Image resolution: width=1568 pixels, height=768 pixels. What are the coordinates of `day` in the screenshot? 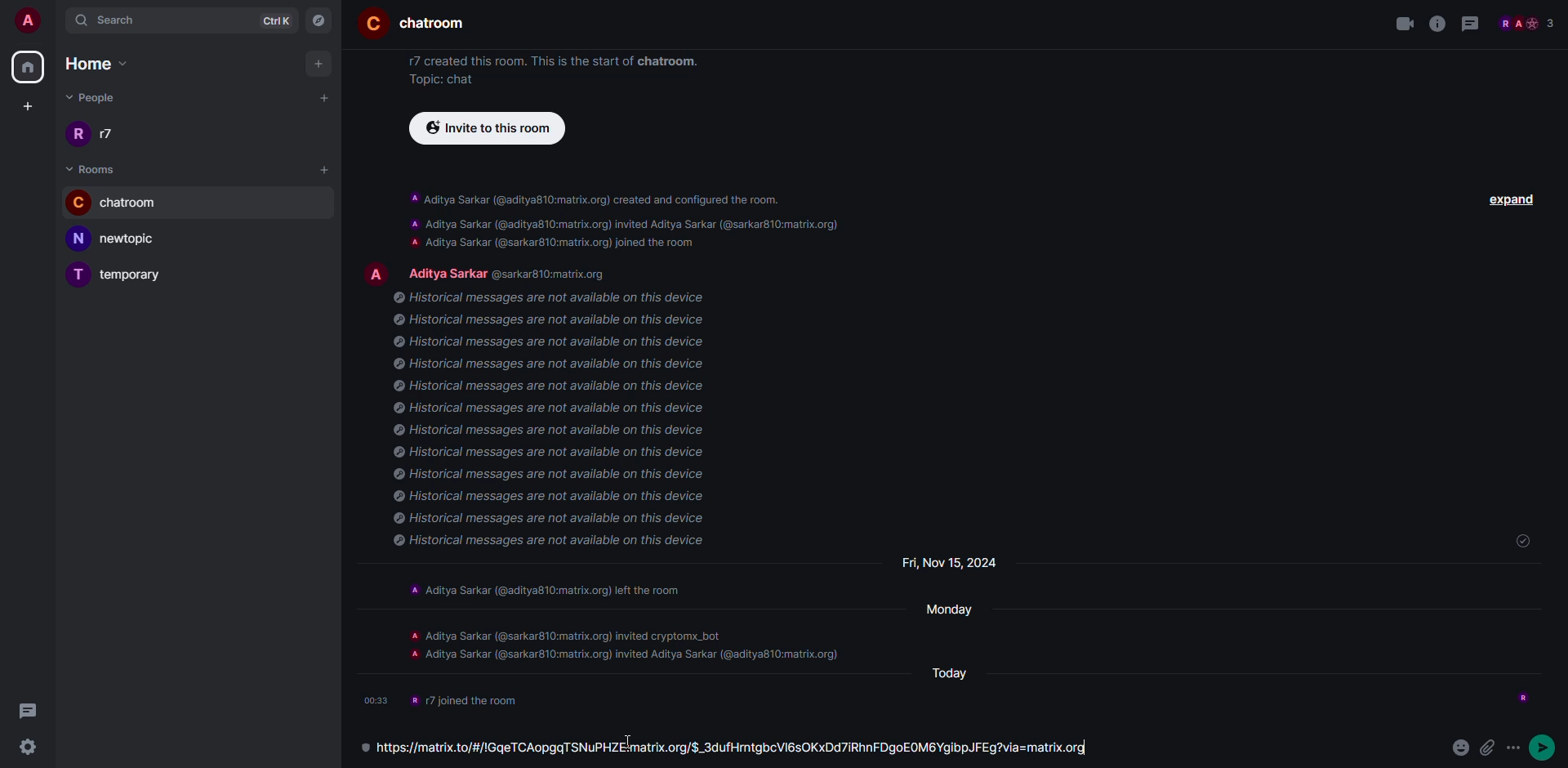 It's located at (942, 562).